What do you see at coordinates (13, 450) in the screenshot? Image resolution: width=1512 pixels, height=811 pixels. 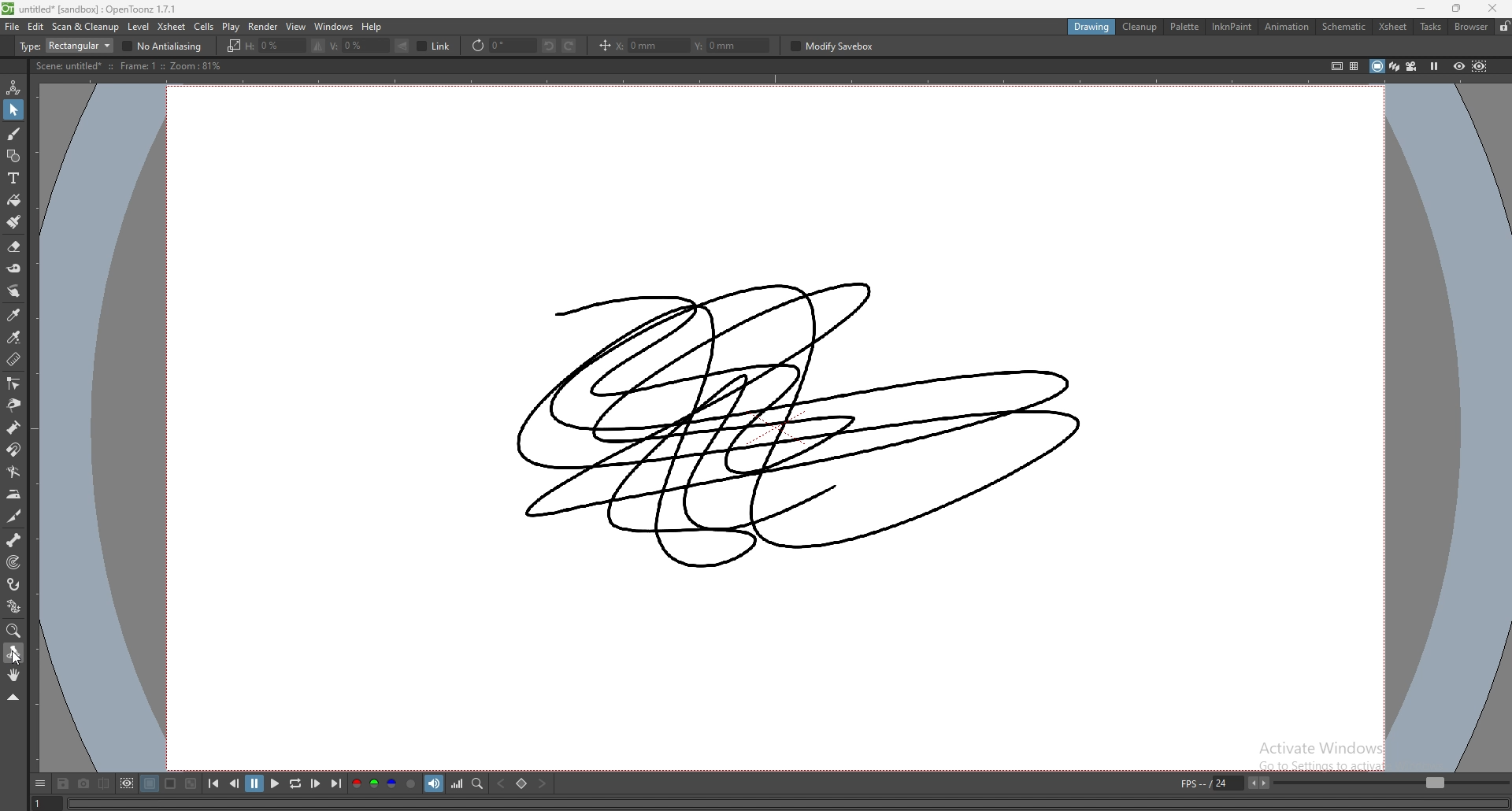 I see `magnet` at bounding box center [13, 450].